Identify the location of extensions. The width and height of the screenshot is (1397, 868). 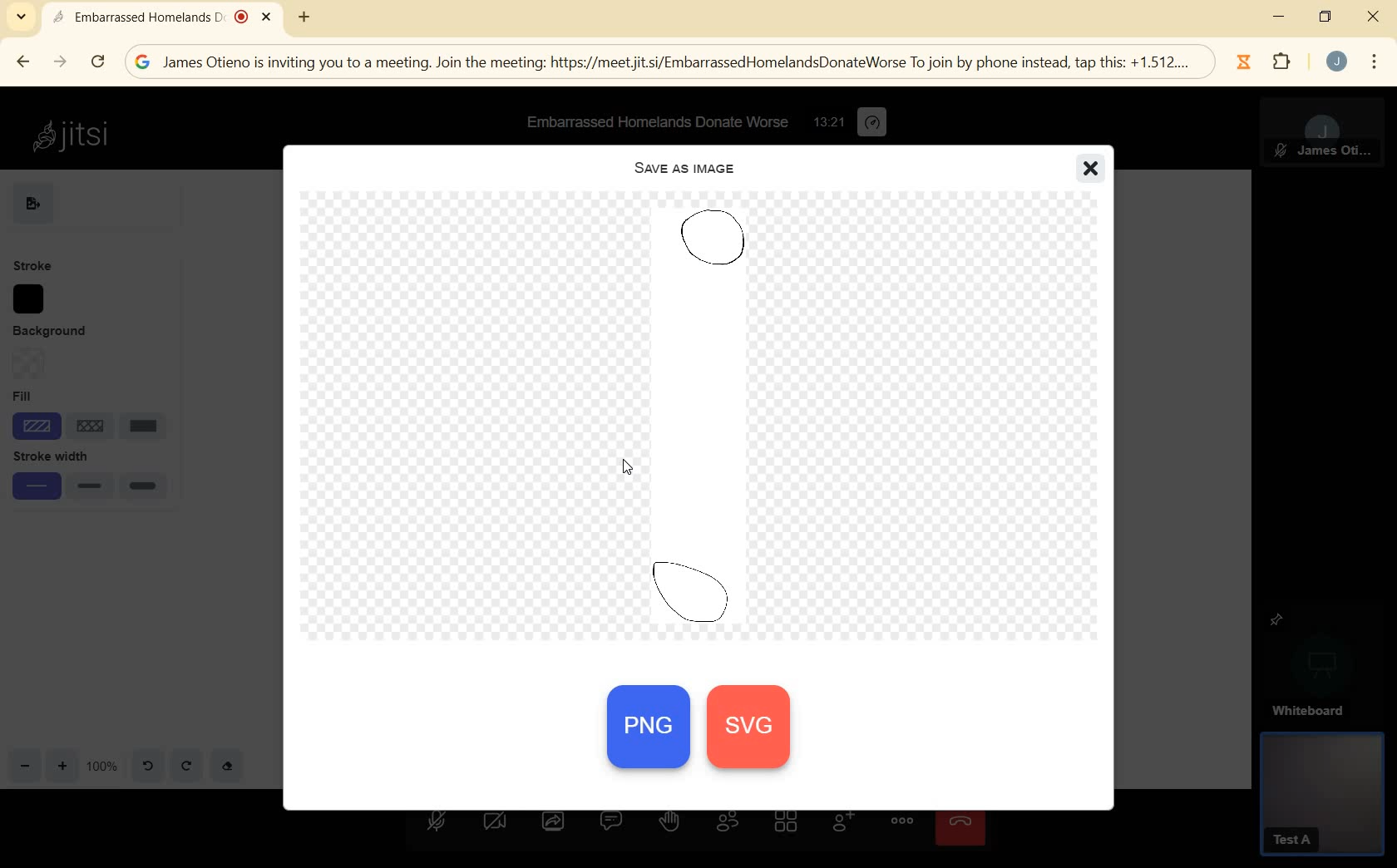
(1283, 65).